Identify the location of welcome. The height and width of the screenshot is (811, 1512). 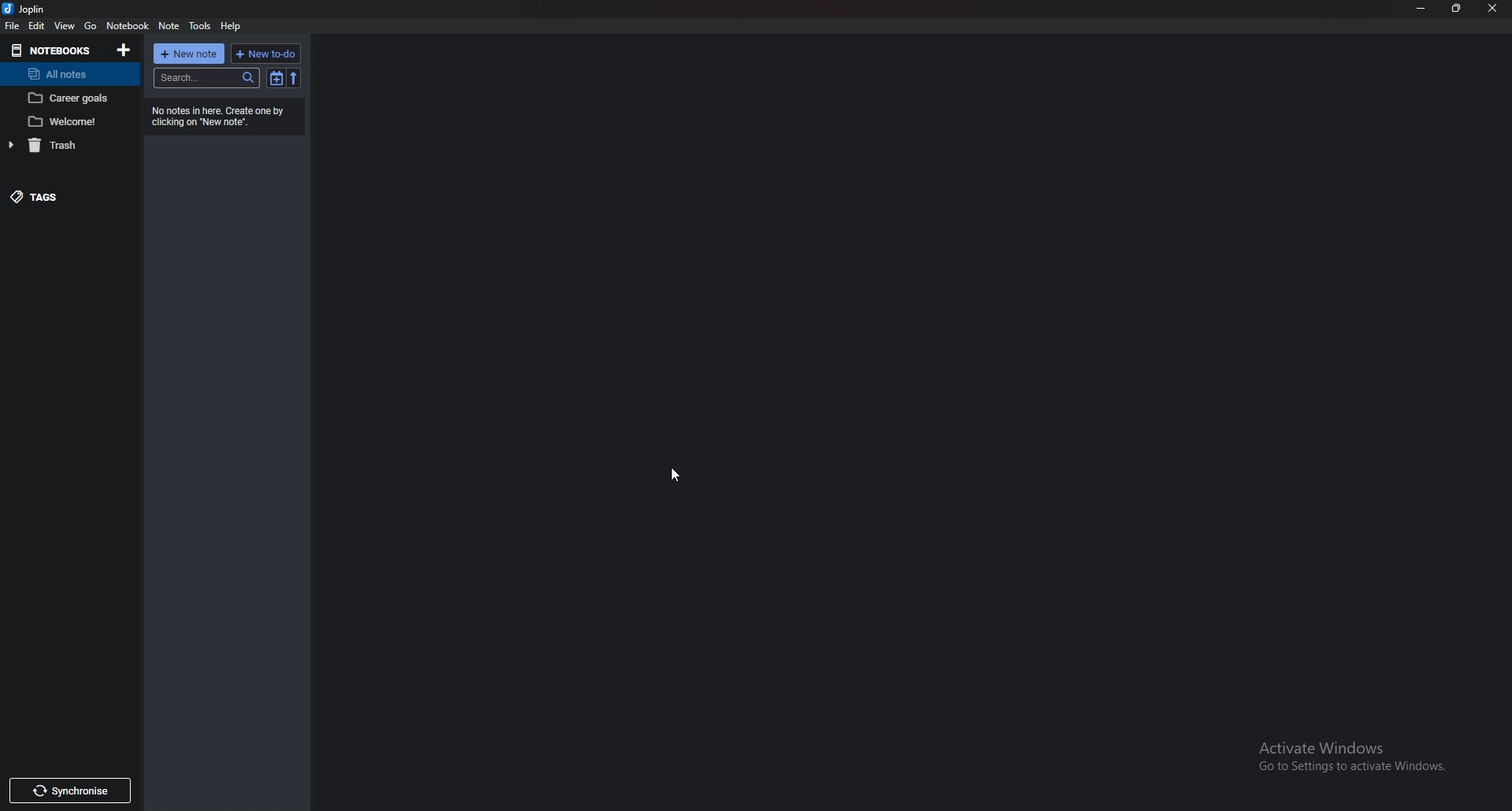
(69, 122).